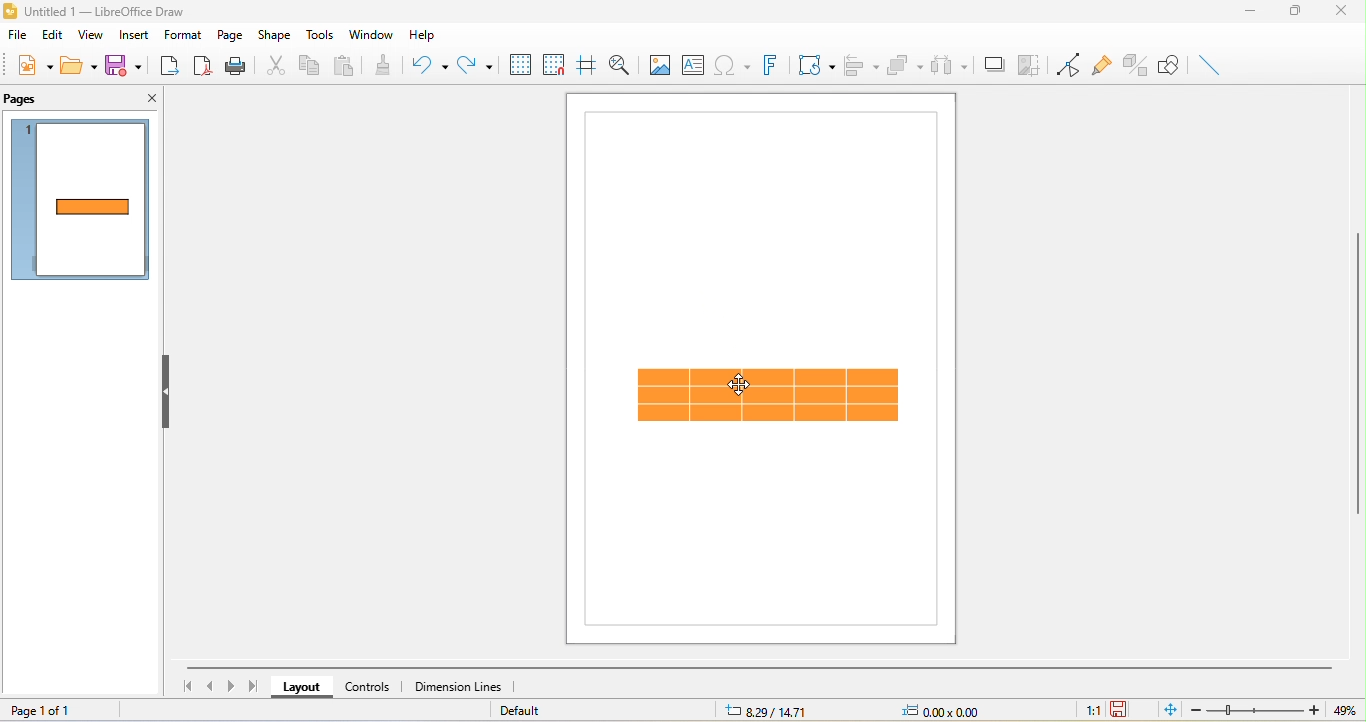 The width and height of the screenshot is (1366, 722). Describe the element at coordinates (317, 35) in the screenshot. I see `tools` at that location.